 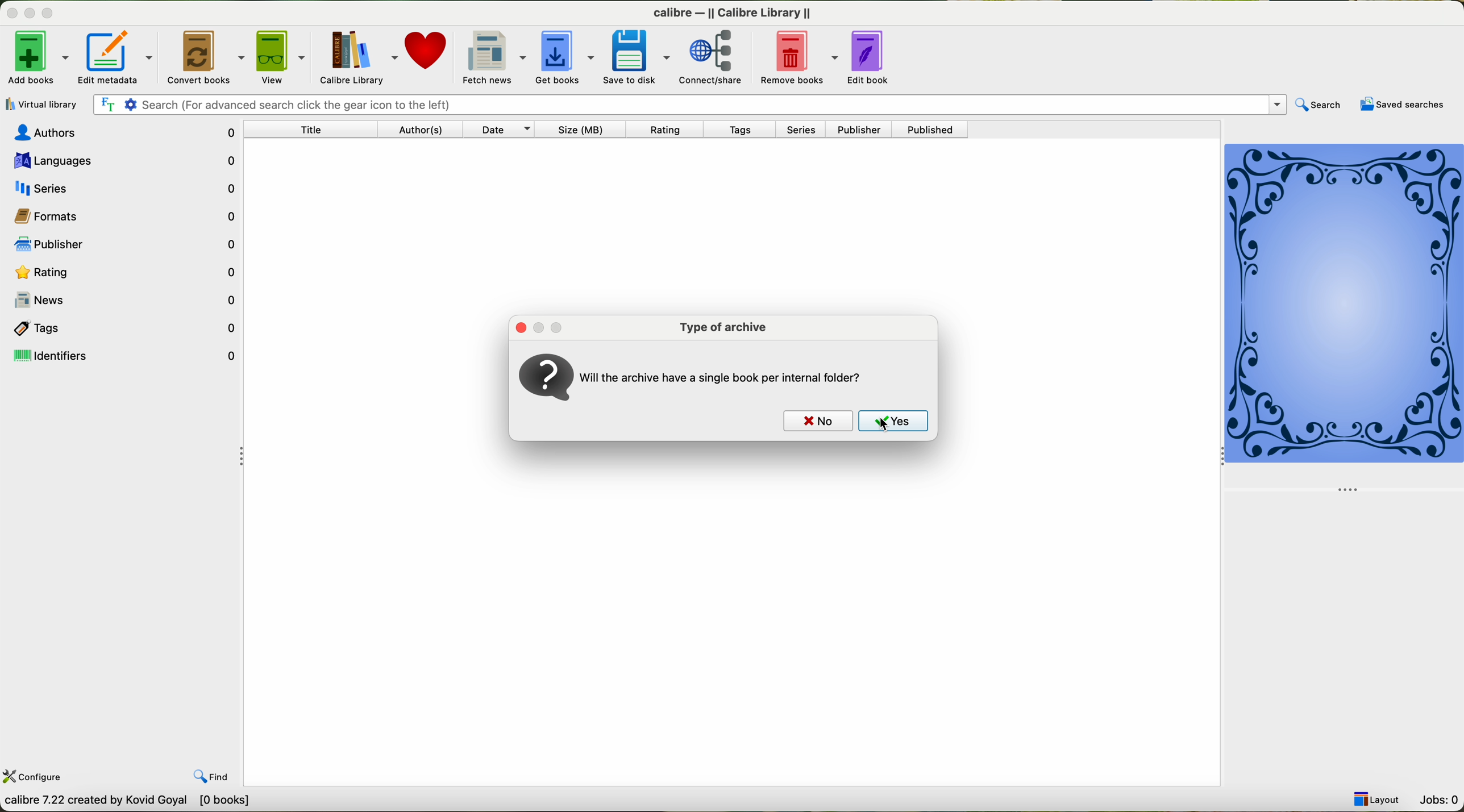 I want to click on maximize, so click(x=50, y=13).